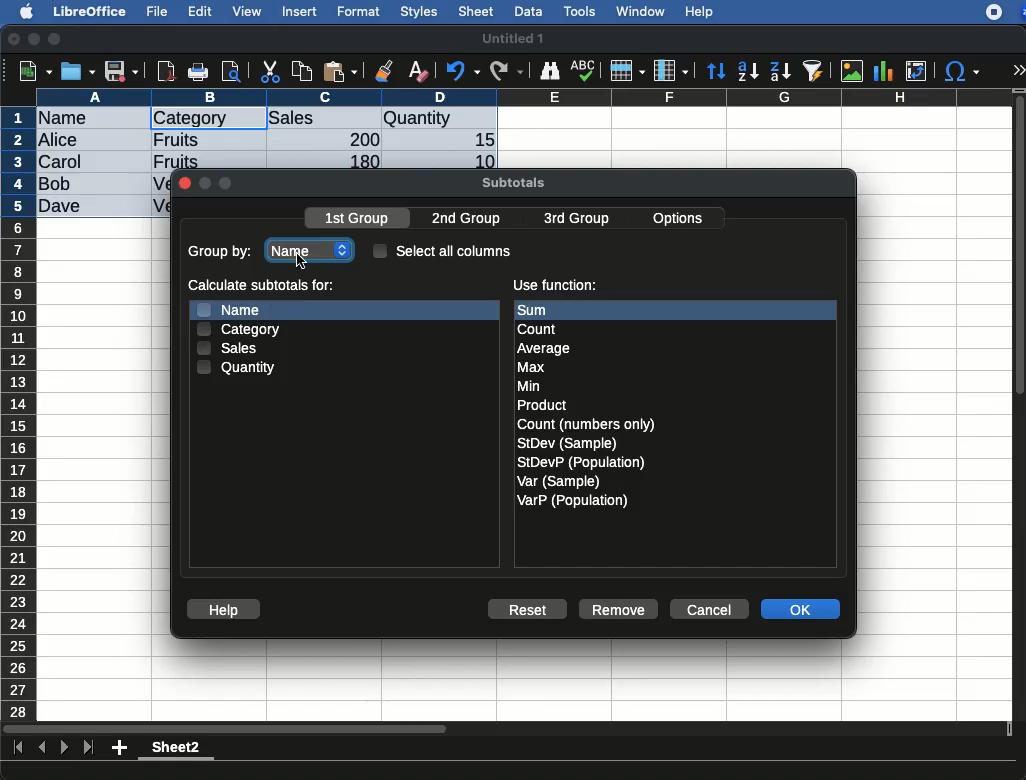 The height and width of the screenshot is (780, 1026). Describe the element at coordinates (708, 610) in the screenshot. I see `cancel` at that location.